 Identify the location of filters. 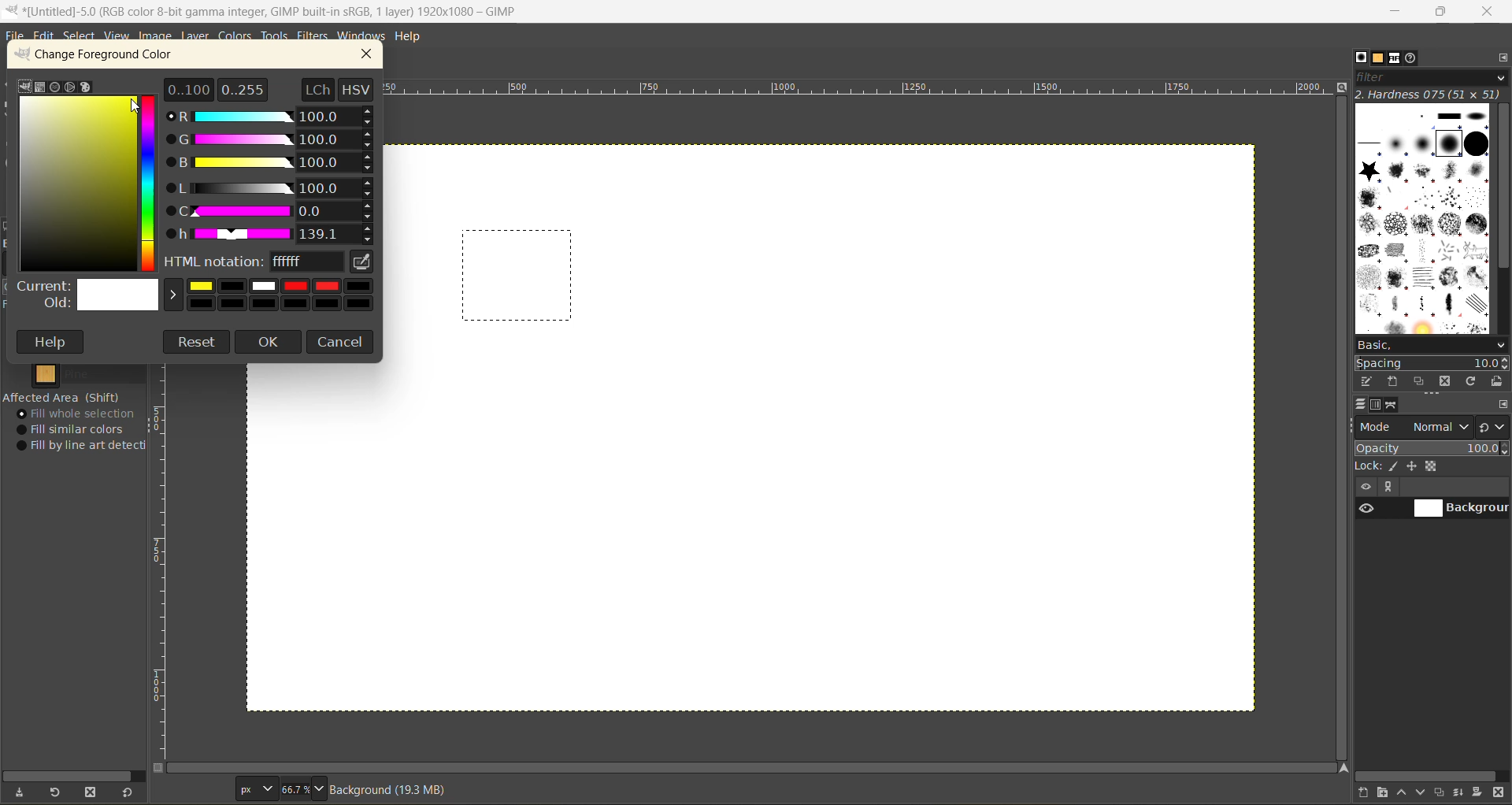
(313, 36).